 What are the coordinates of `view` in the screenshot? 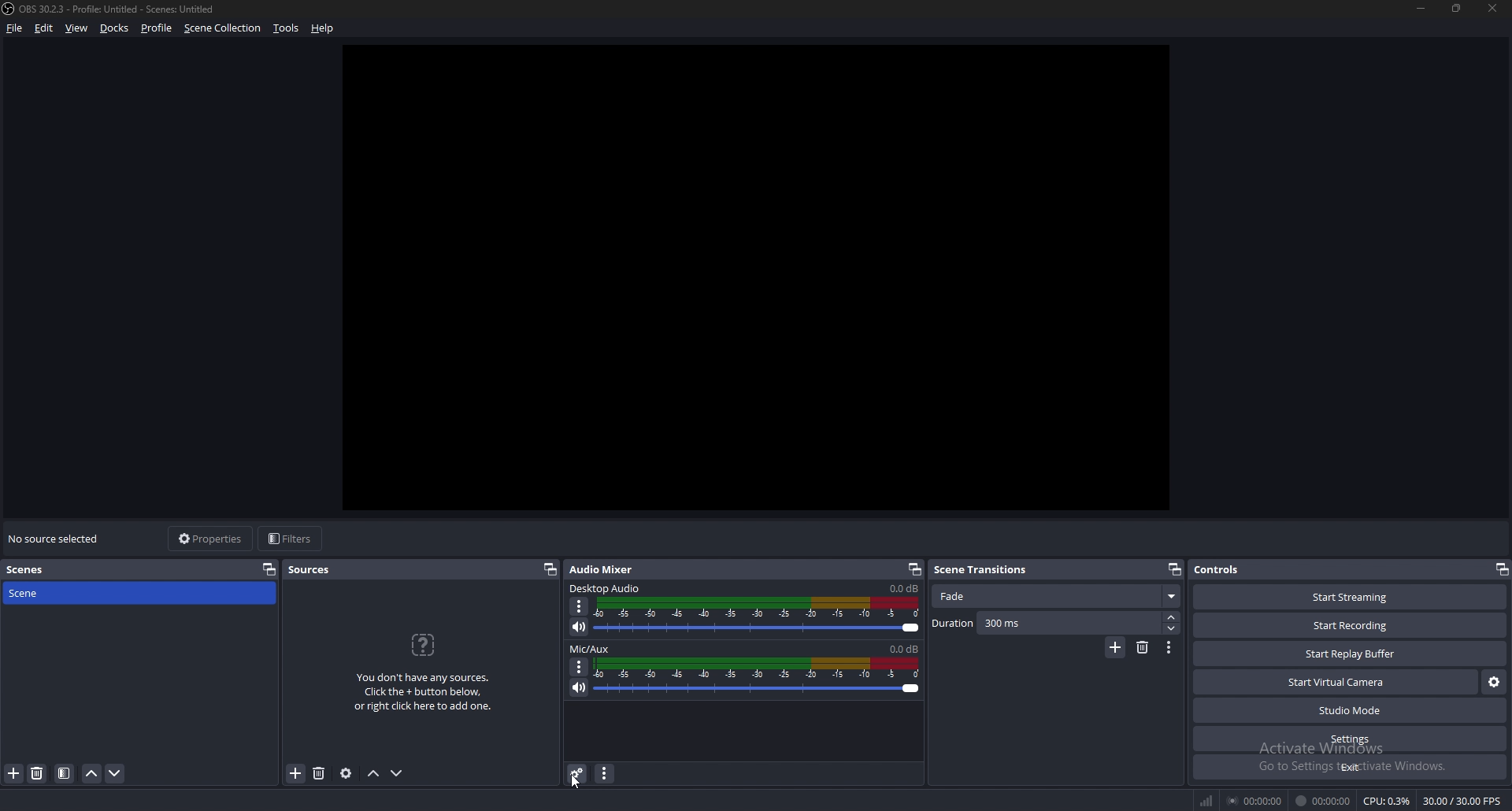 It's located at (78, 28).